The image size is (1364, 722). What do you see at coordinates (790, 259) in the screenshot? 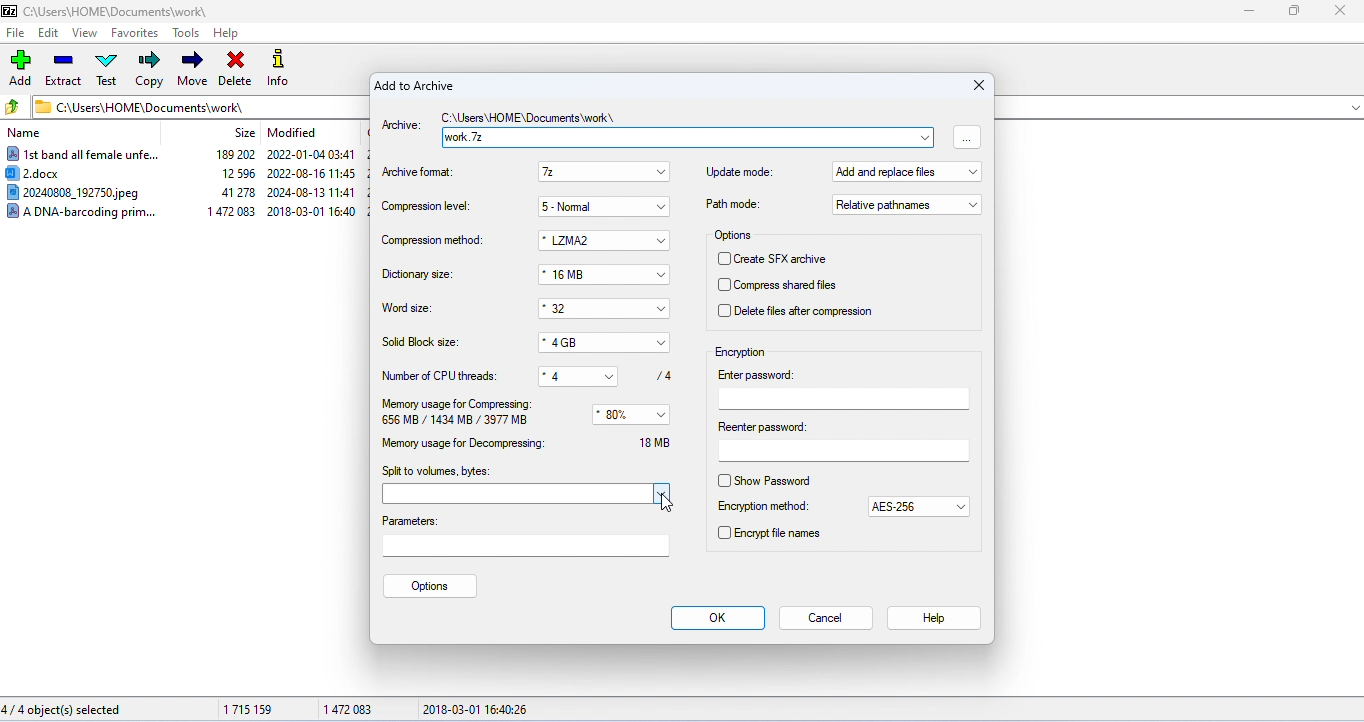
I see `create SFX archieve` at bounding box center [790, 259].